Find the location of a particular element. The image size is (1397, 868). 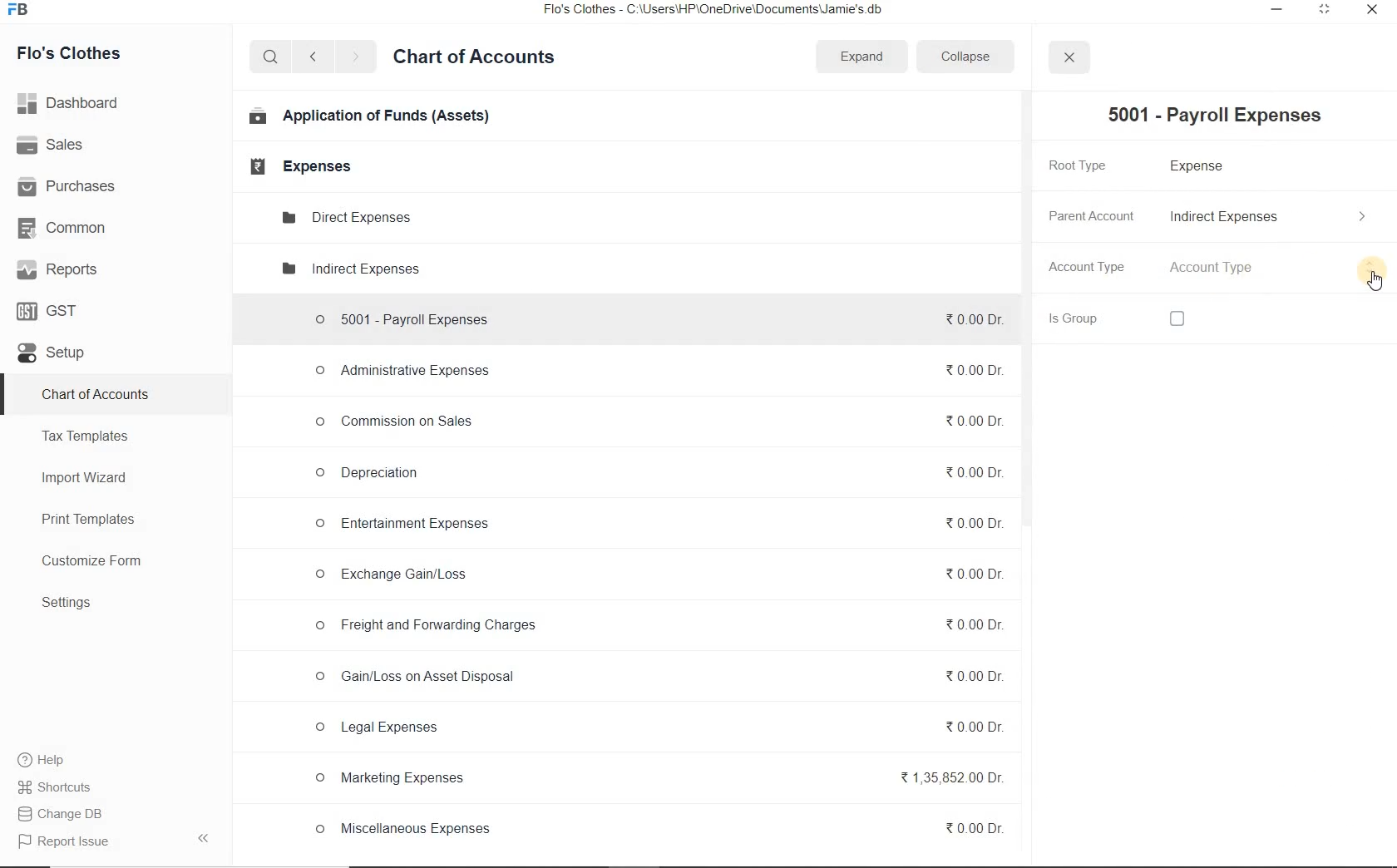

5001 - Payroll Expenses is located at coordinates (1208, 116).